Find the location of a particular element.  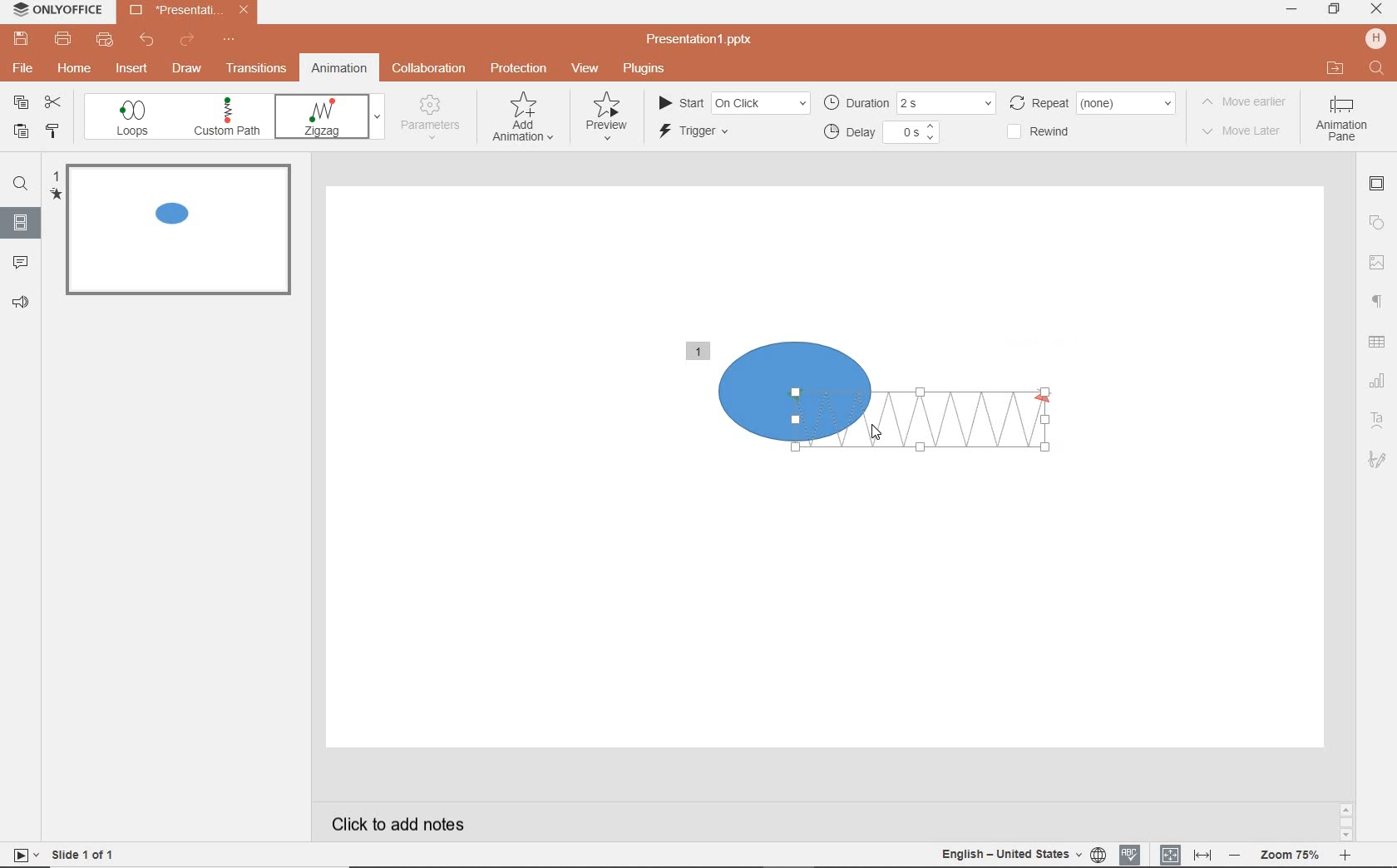

protection is located at coordinates (517, 67).